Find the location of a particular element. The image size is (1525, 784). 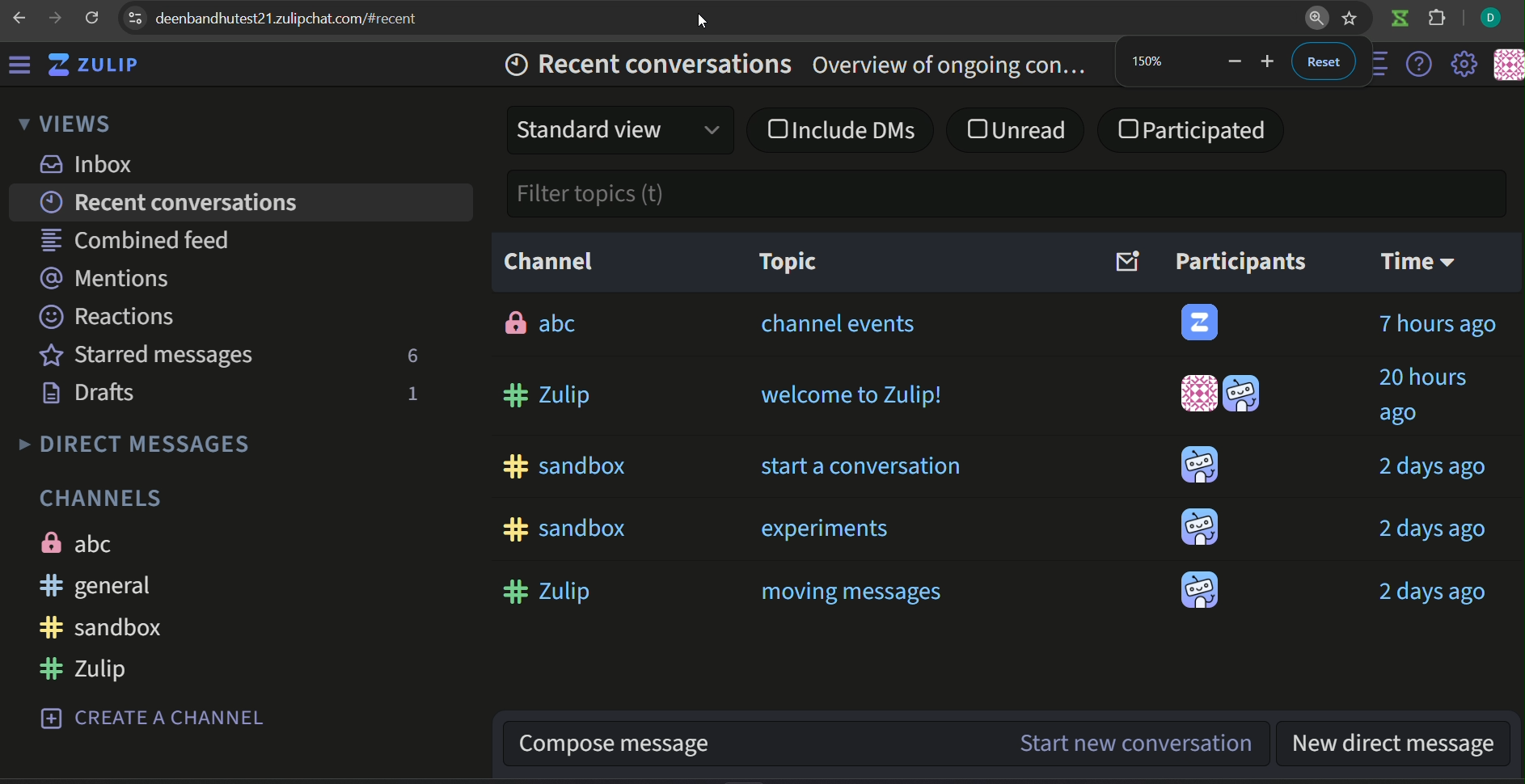

reactions is located at coordinates (112, 316).